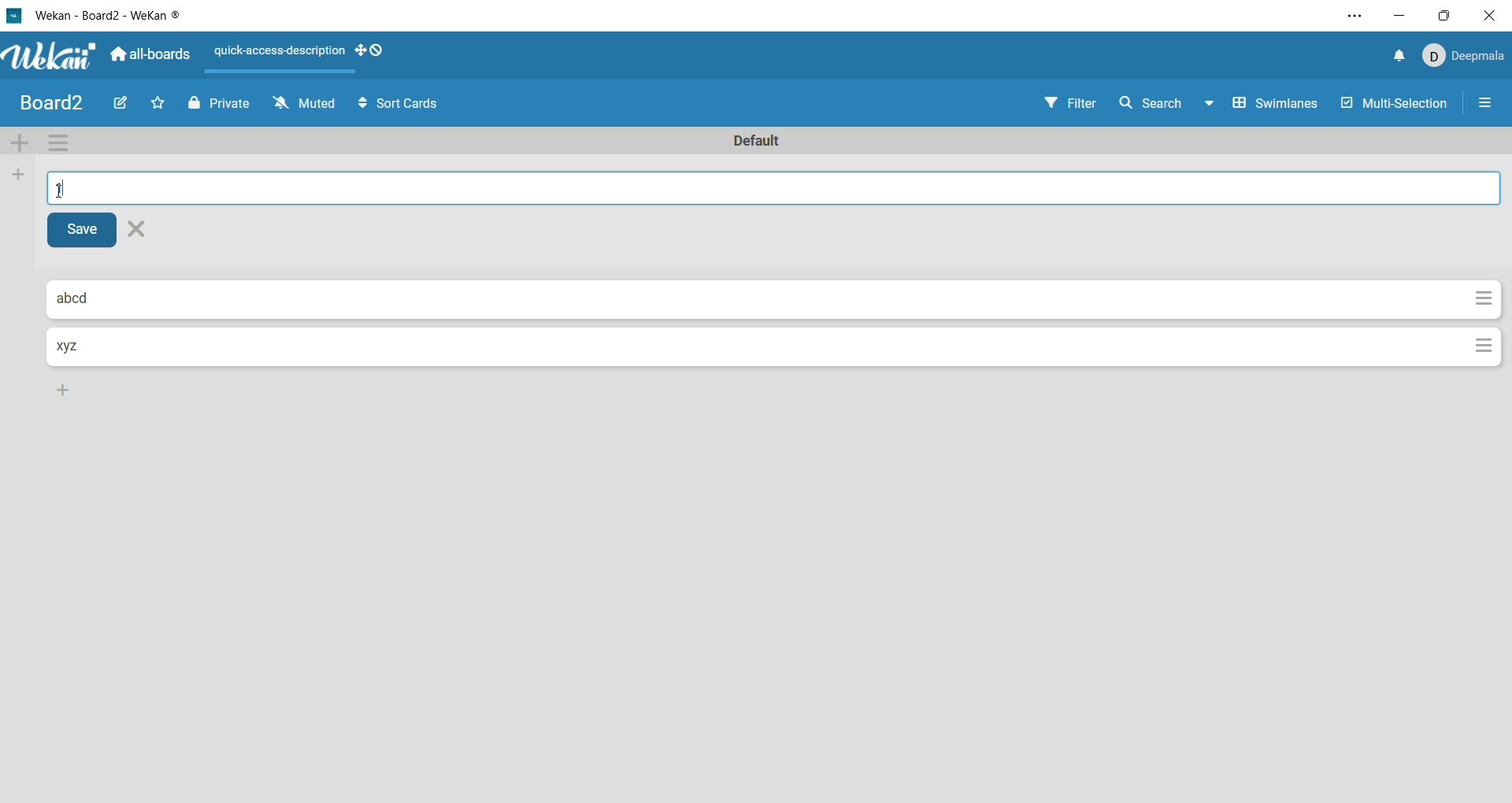  I want to click on show-desktp-drag-handles, so click(356, 50).